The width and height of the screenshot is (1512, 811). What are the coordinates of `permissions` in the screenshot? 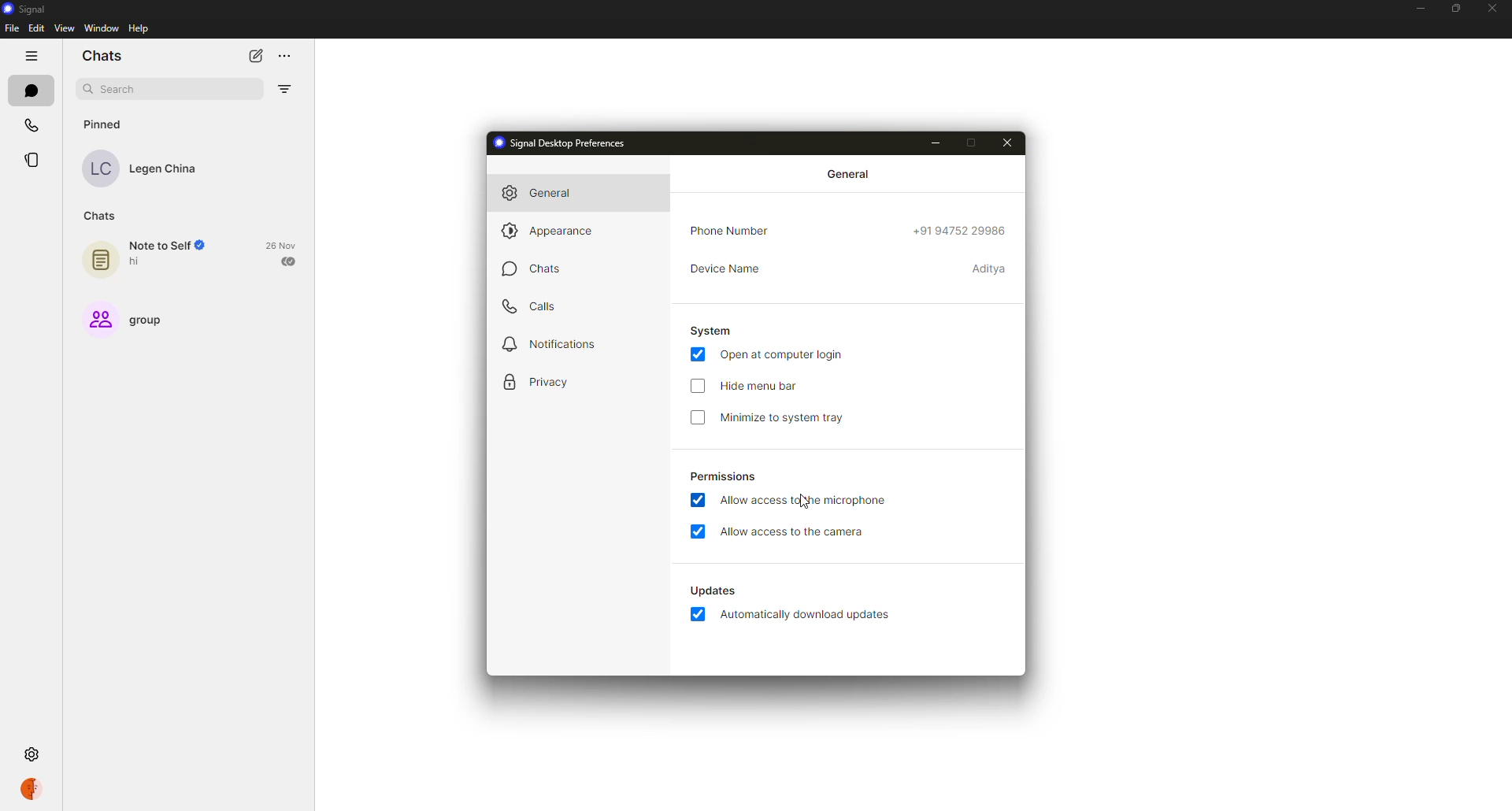 It's located at (728, 476).